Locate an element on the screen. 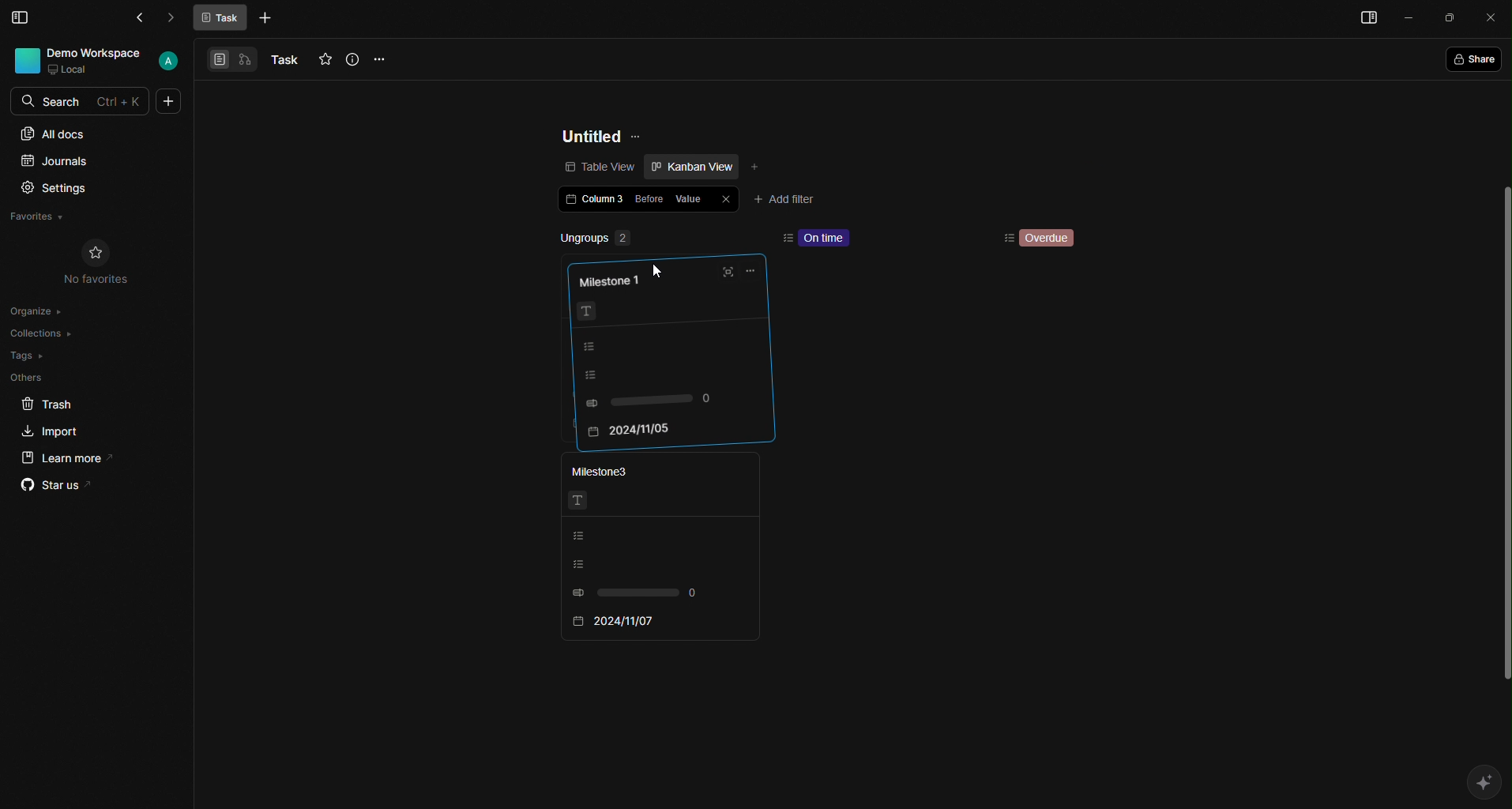 This screenshot has width=1512, height=809. View 1 is located at coordinates (215, 58).